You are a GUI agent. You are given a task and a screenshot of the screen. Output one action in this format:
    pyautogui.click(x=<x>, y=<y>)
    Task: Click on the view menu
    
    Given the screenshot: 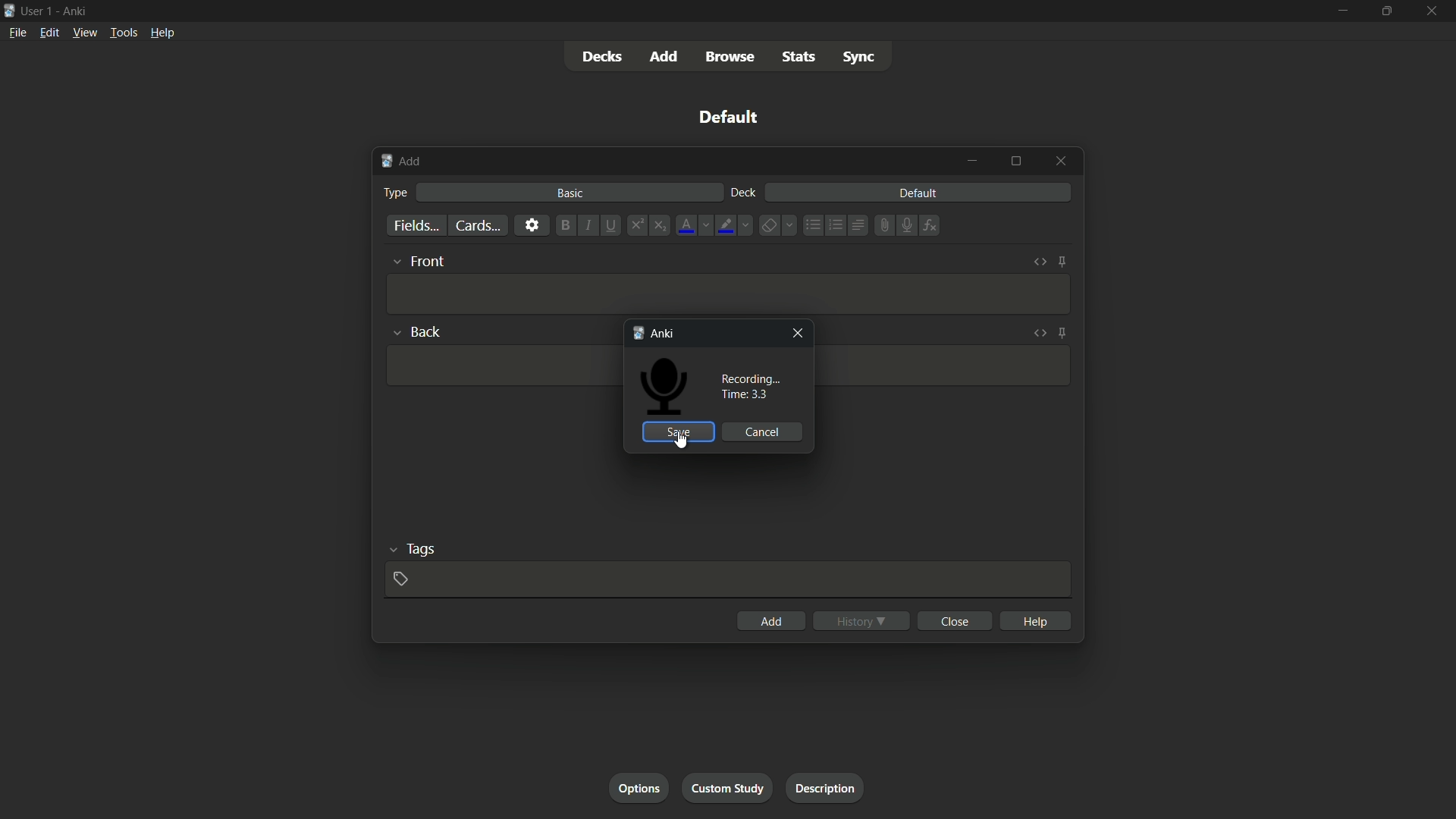 What is the action you would take?
    pyautogui.click(x=85, y=33)
    